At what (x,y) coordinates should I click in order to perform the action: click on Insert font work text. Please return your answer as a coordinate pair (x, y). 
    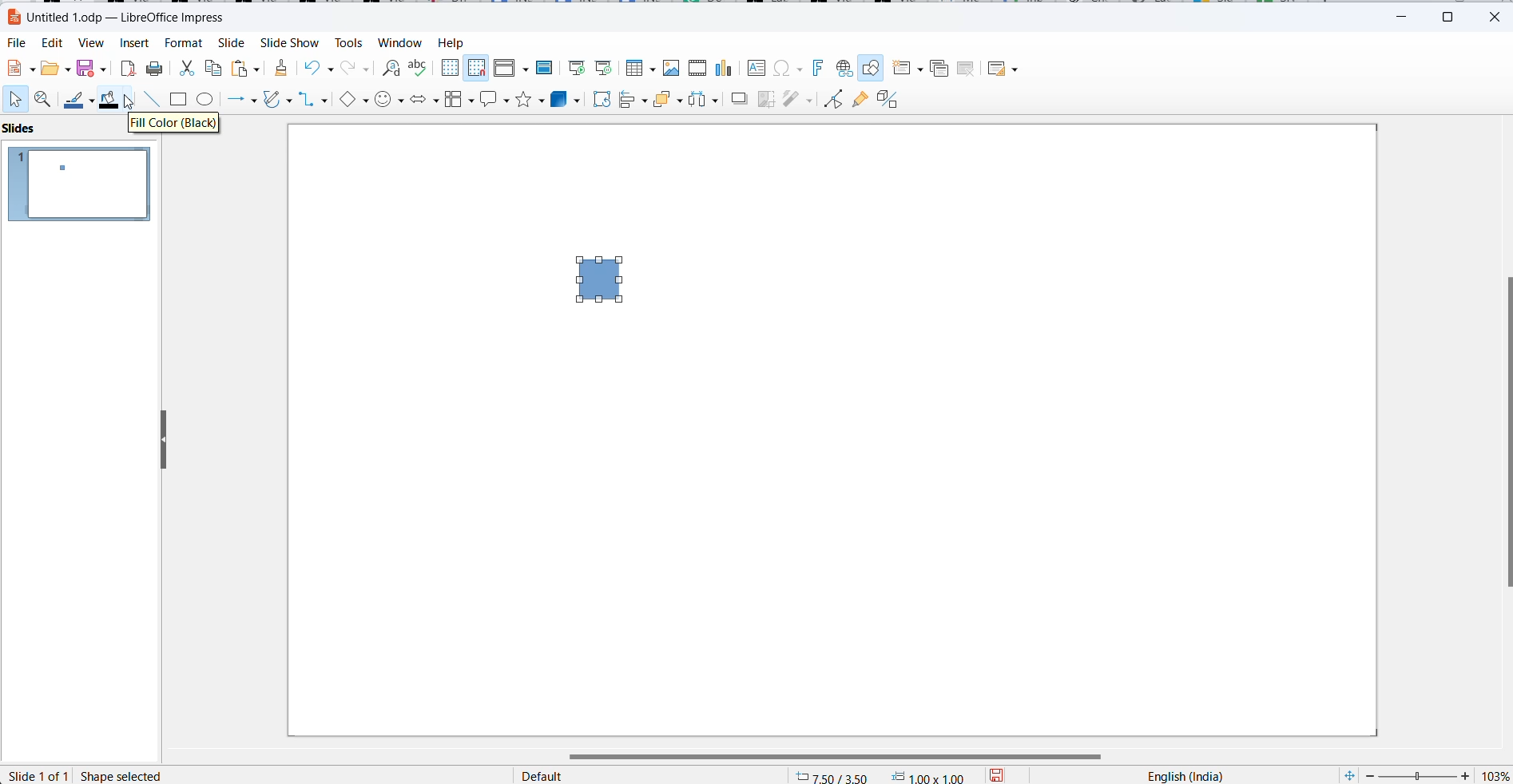
    Looking at the image, I should click on (820, 67).